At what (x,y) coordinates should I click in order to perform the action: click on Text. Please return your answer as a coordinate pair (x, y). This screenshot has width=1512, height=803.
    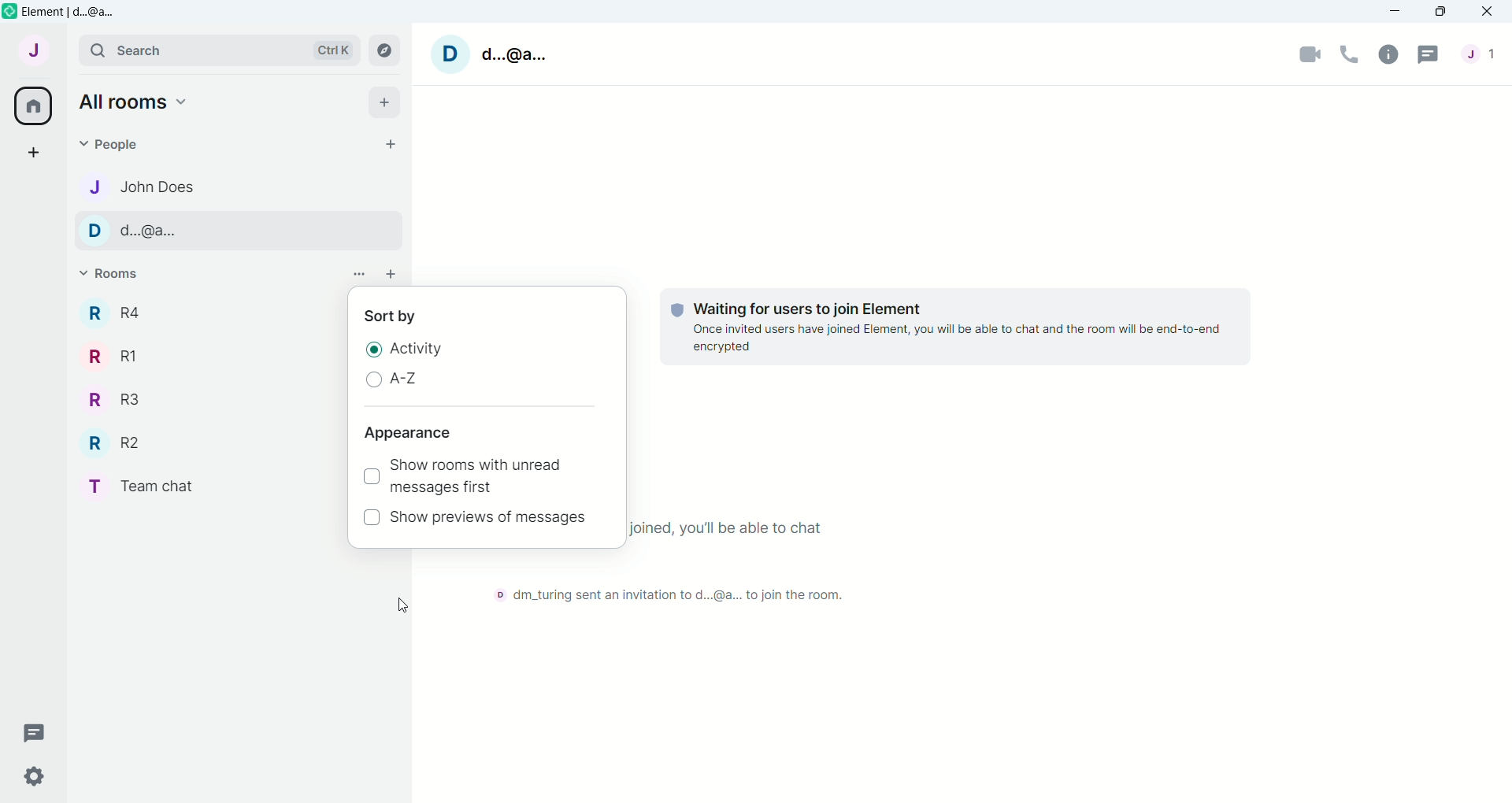
    Looking at the image, I should click on (957, 328).